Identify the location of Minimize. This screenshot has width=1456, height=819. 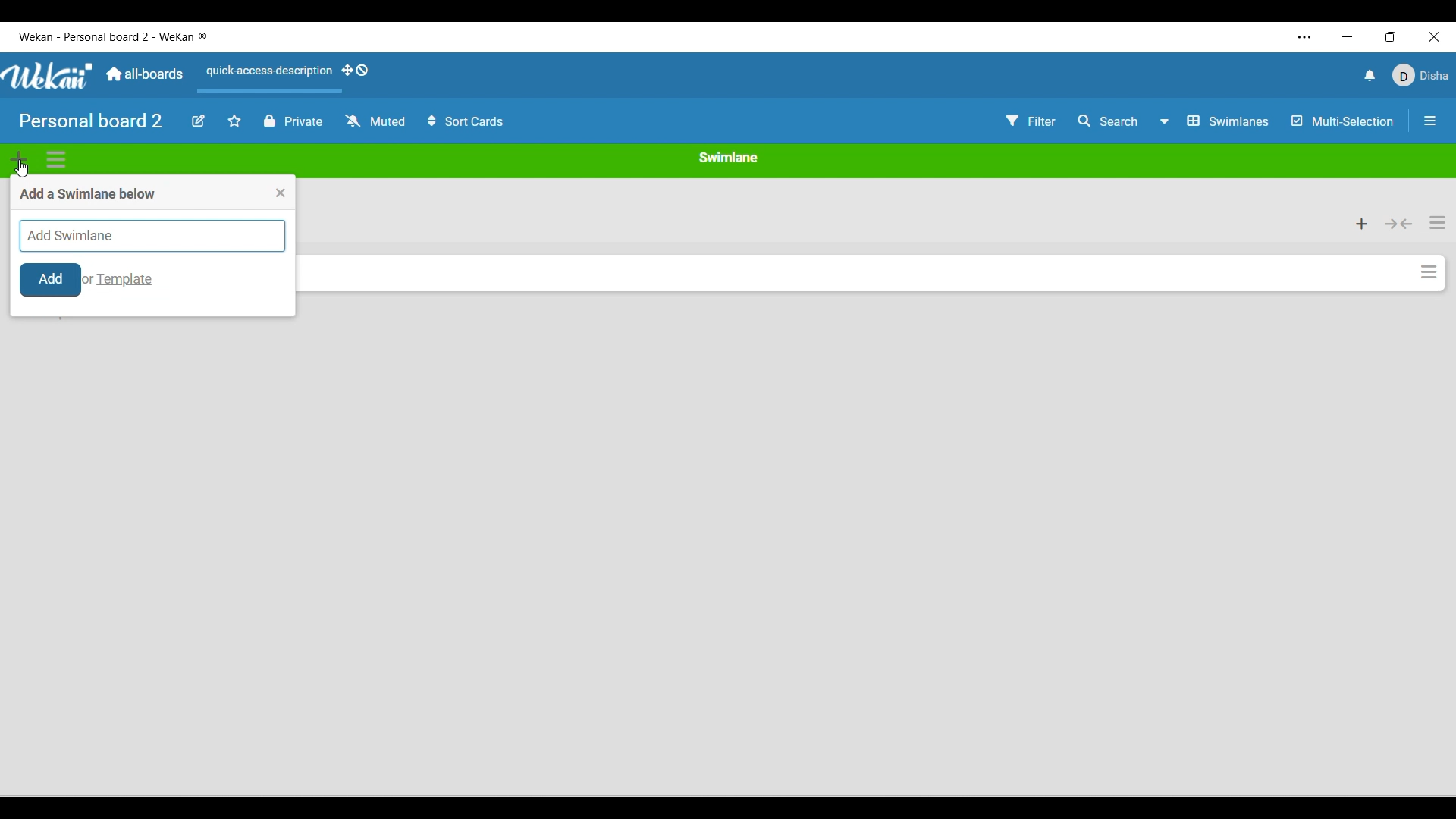
(1348, 37).